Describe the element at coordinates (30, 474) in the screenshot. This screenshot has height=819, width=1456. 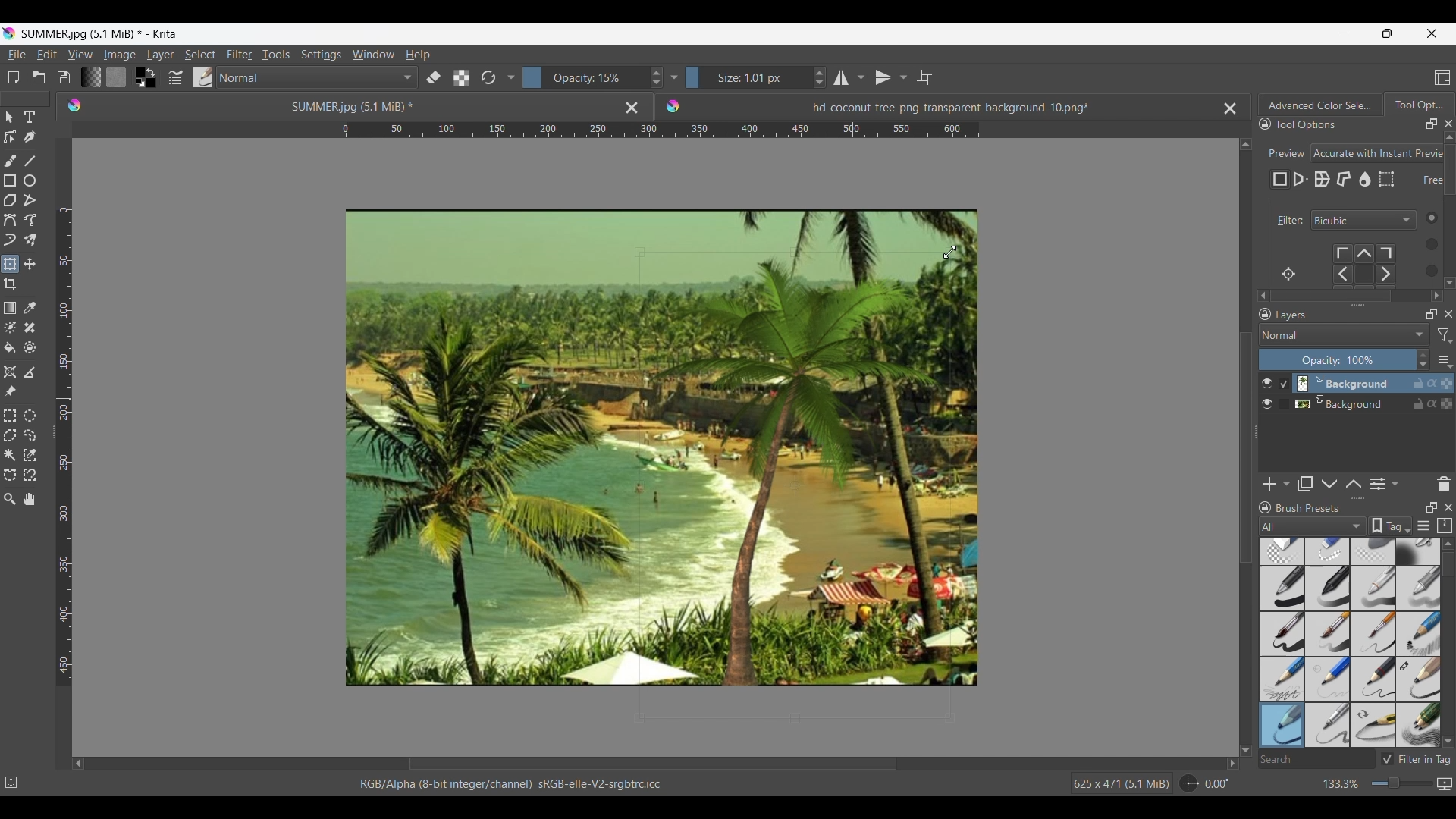
I see `Magnetic curve selection tool` at that location.